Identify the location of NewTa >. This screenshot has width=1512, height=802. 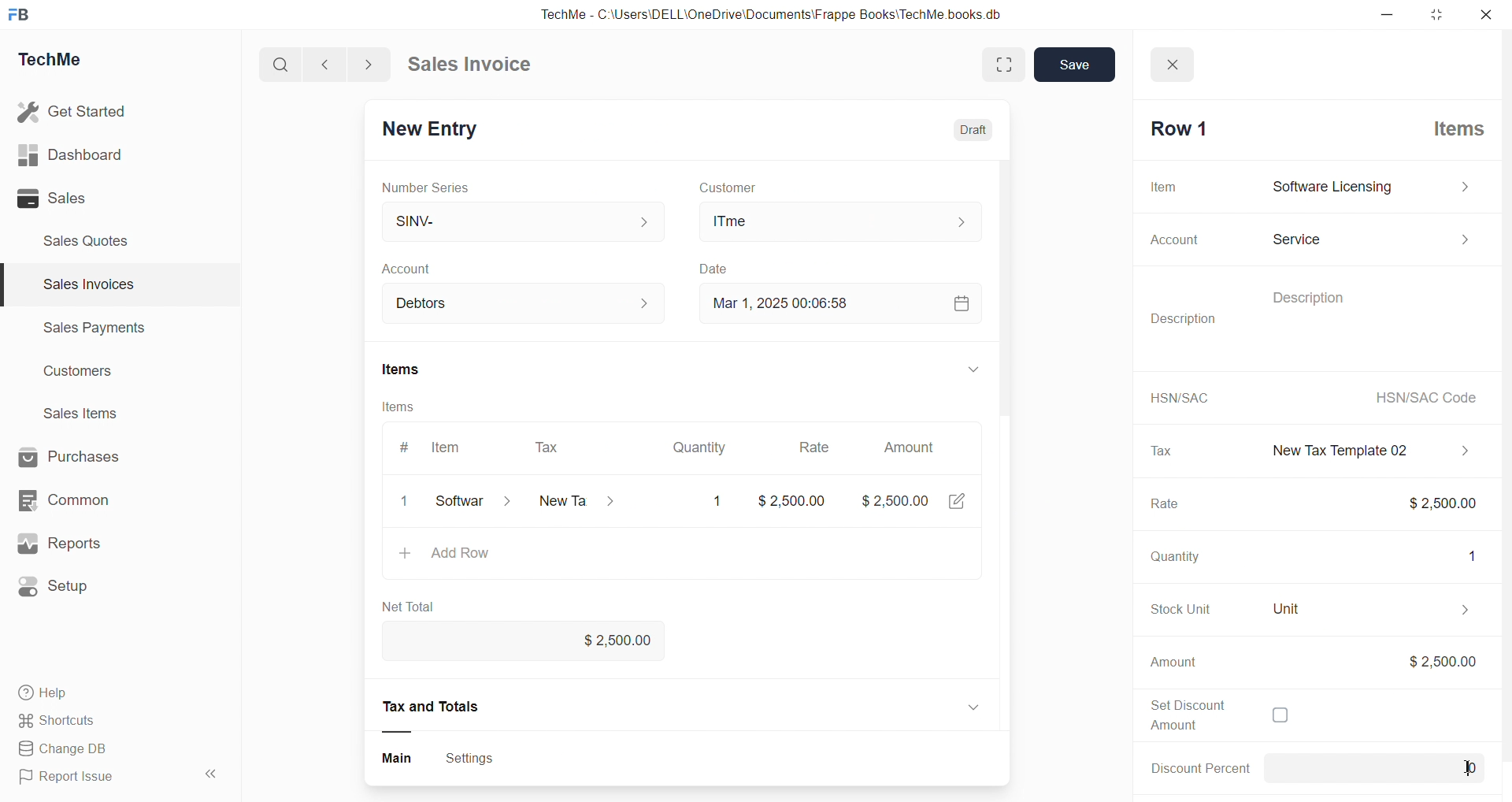
(575, 503).